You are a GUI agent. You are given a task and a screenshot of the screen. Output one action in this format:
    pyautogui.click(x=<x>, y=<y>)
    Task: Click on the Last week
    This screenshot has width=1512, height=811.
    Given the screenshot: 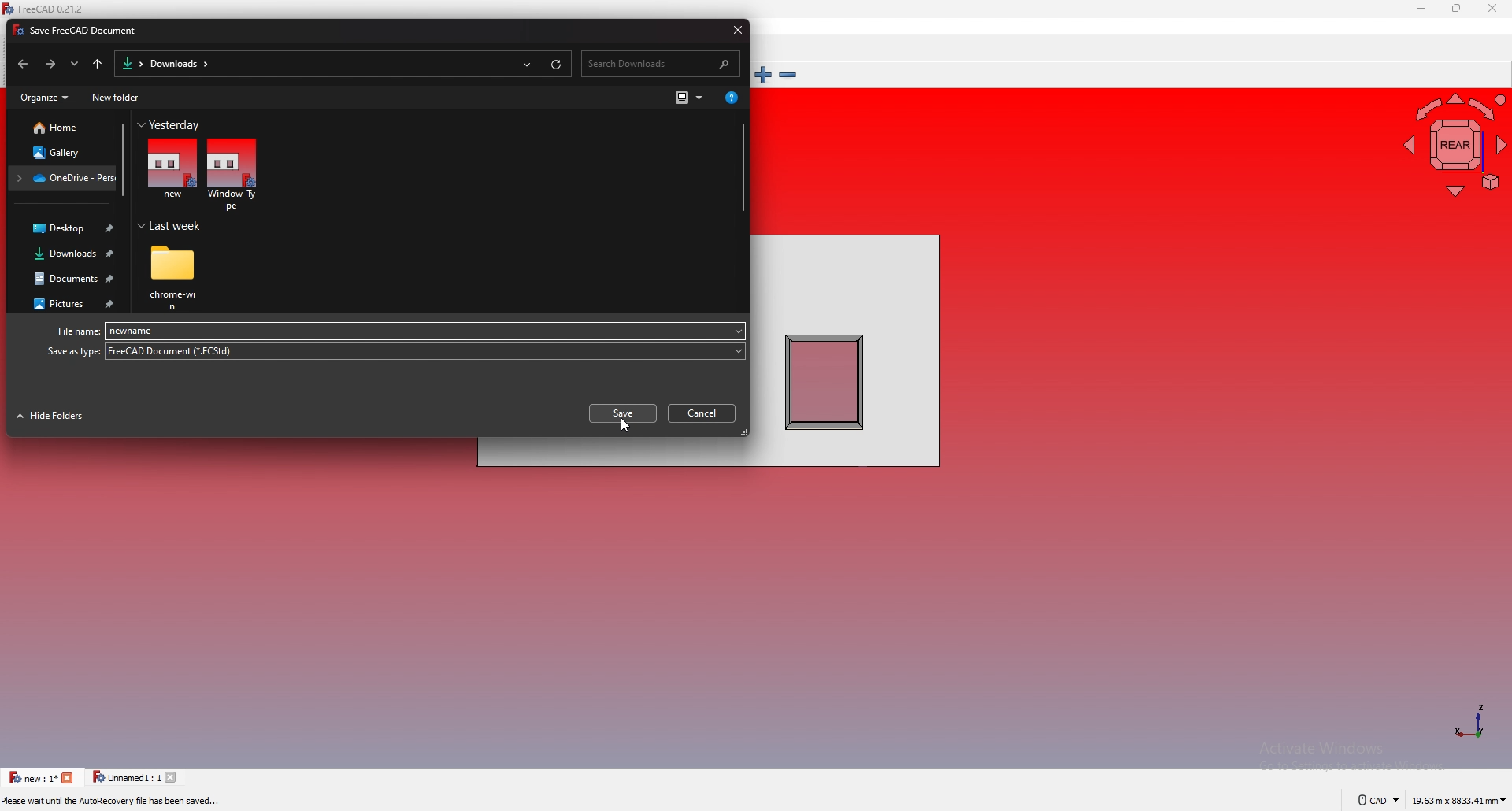 What is the action you would take?
    pyautogui.click(x=383, y=227)
    